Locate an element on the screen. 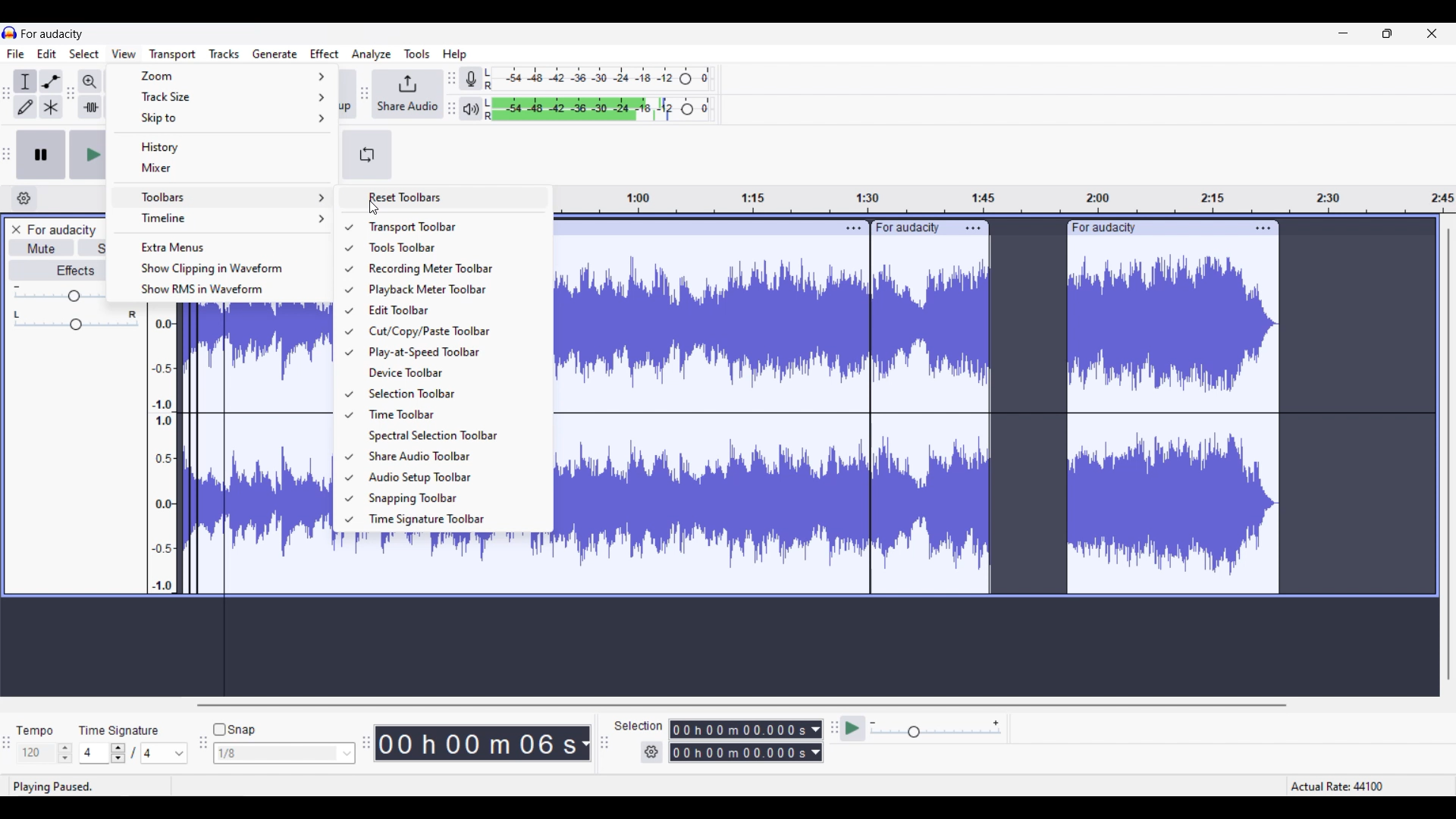 This screenshot has width=1456, height=819. Device toolbar is located at coordinates (451, 372).